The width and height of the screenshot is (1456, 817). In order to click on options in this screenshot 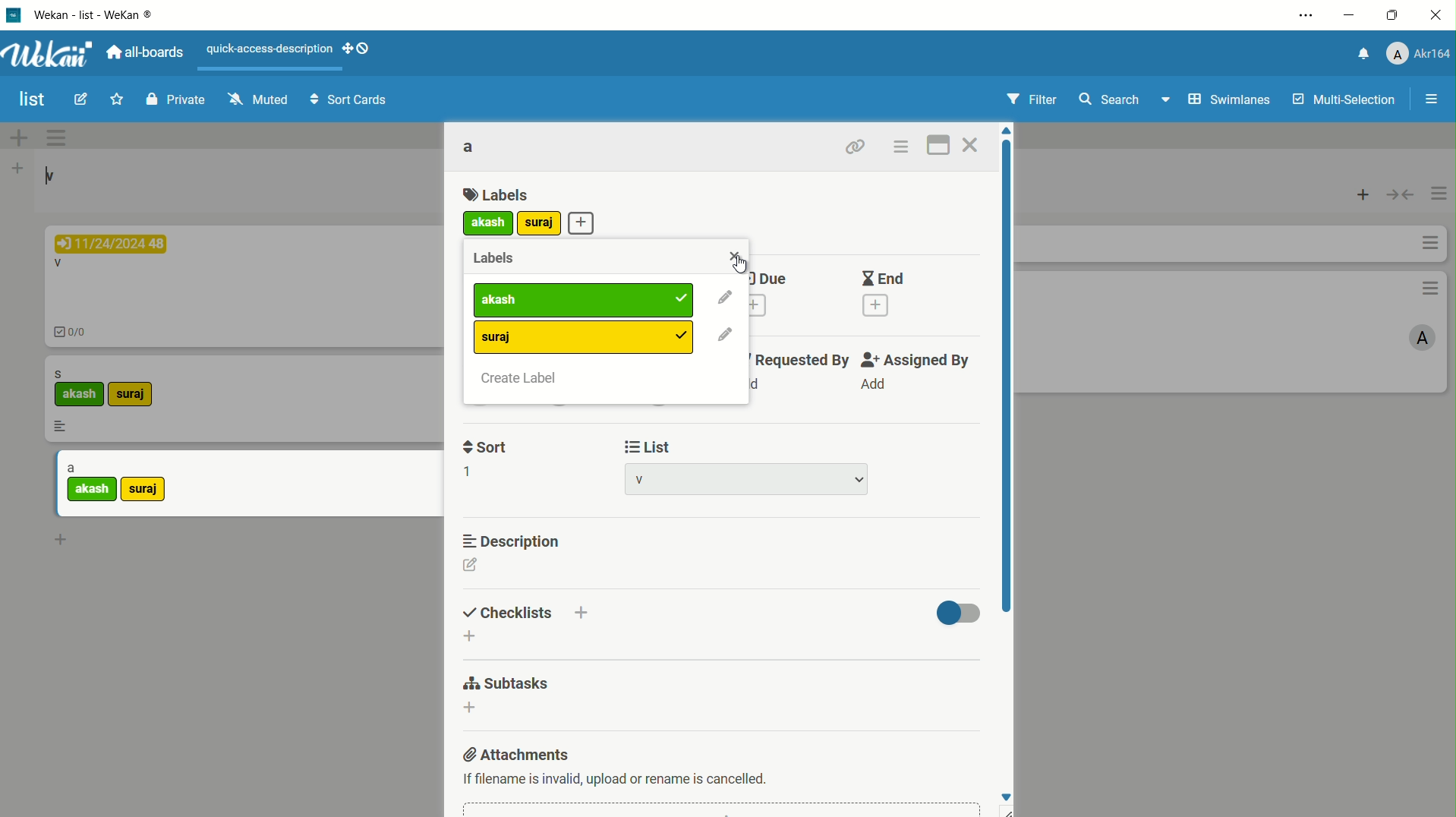, I will do `click(55, 138)`.